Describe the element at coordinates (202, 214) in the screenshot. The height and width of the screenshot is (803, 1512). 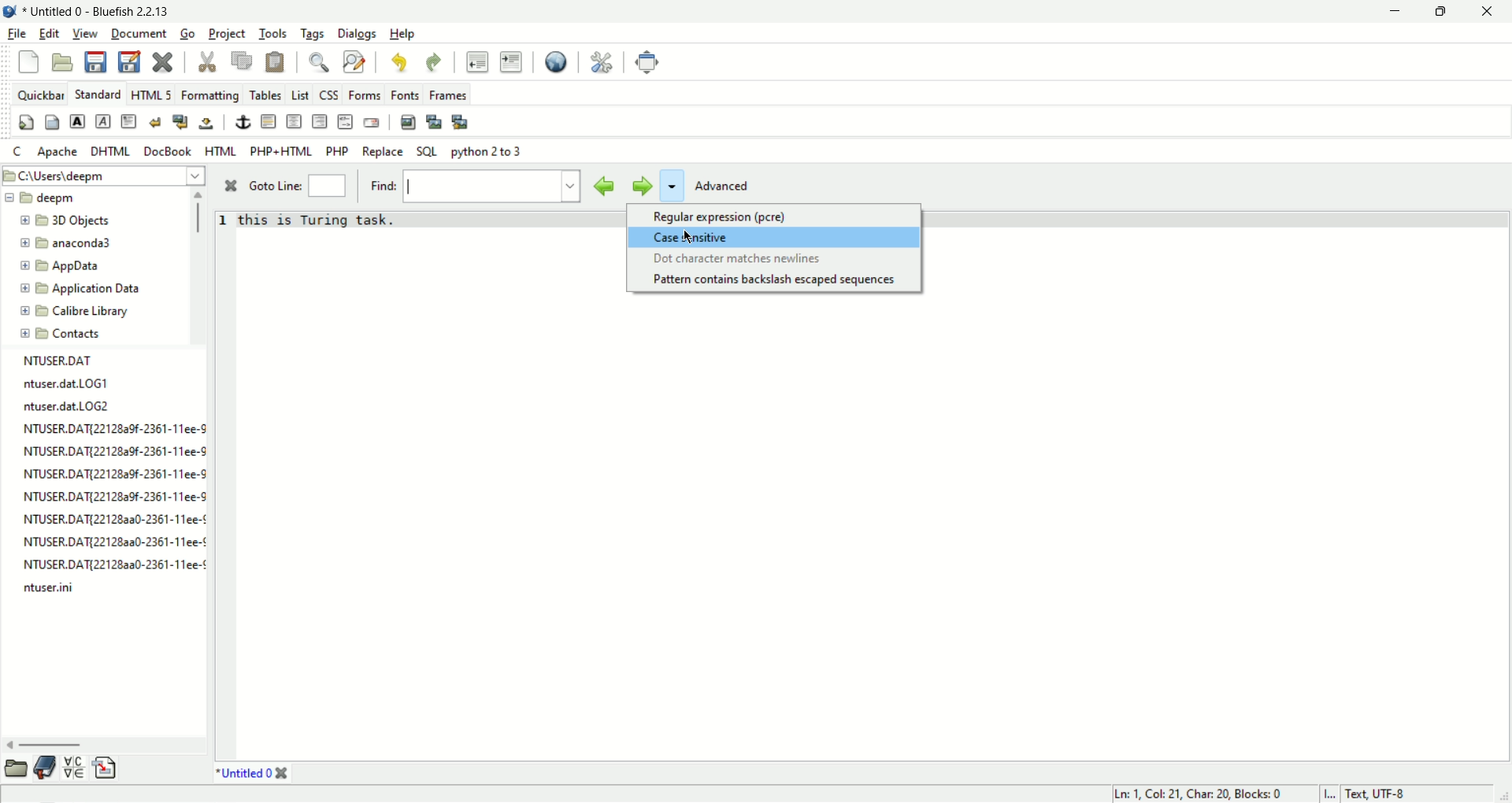
I see `vertical scroll bar` at that location.